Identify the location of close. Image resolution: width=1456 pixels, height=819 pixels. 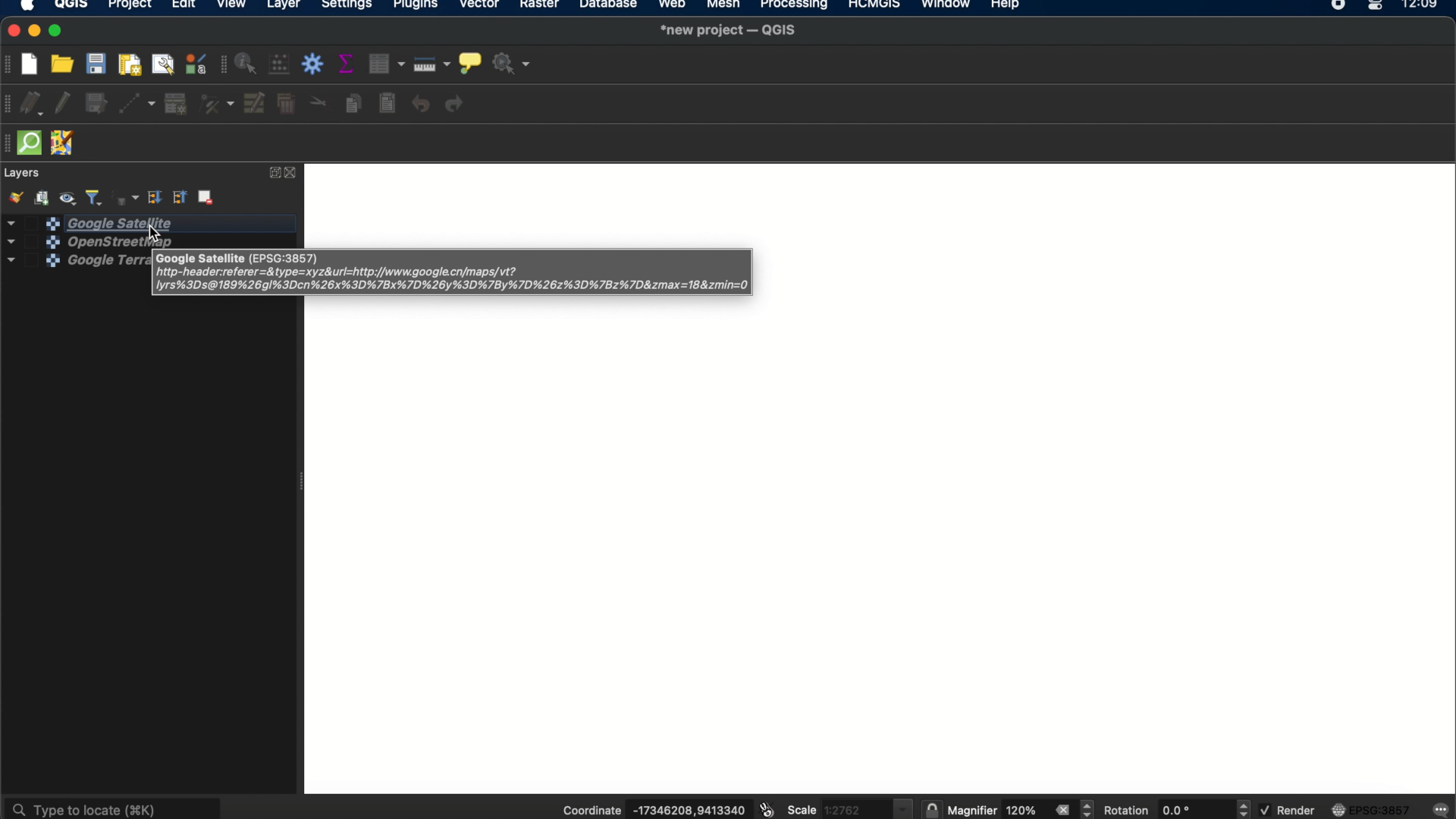
(294, 173).